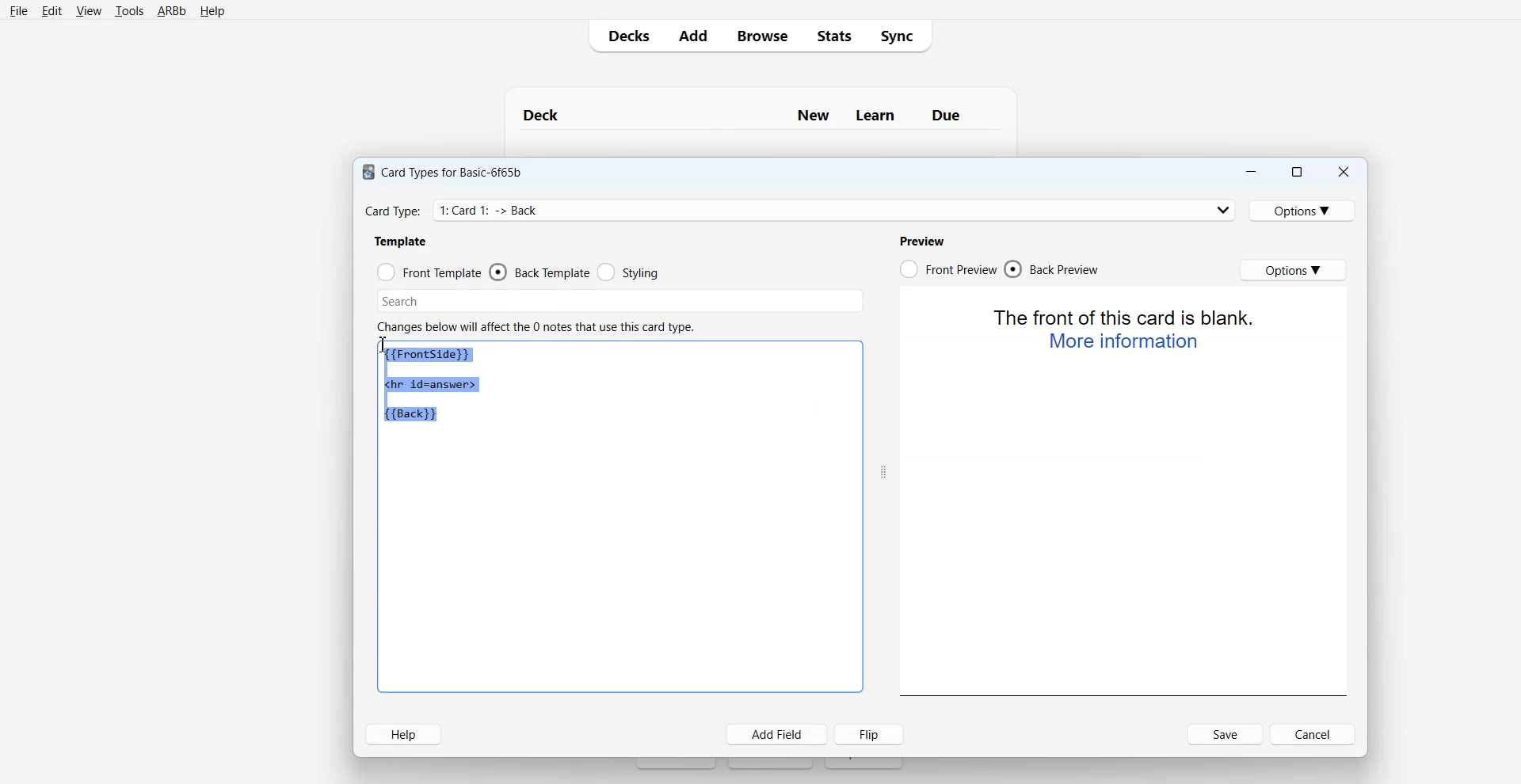 The height and width of the screenshot is (784, 1521). I want to click on Text 1, so click(442, 384).